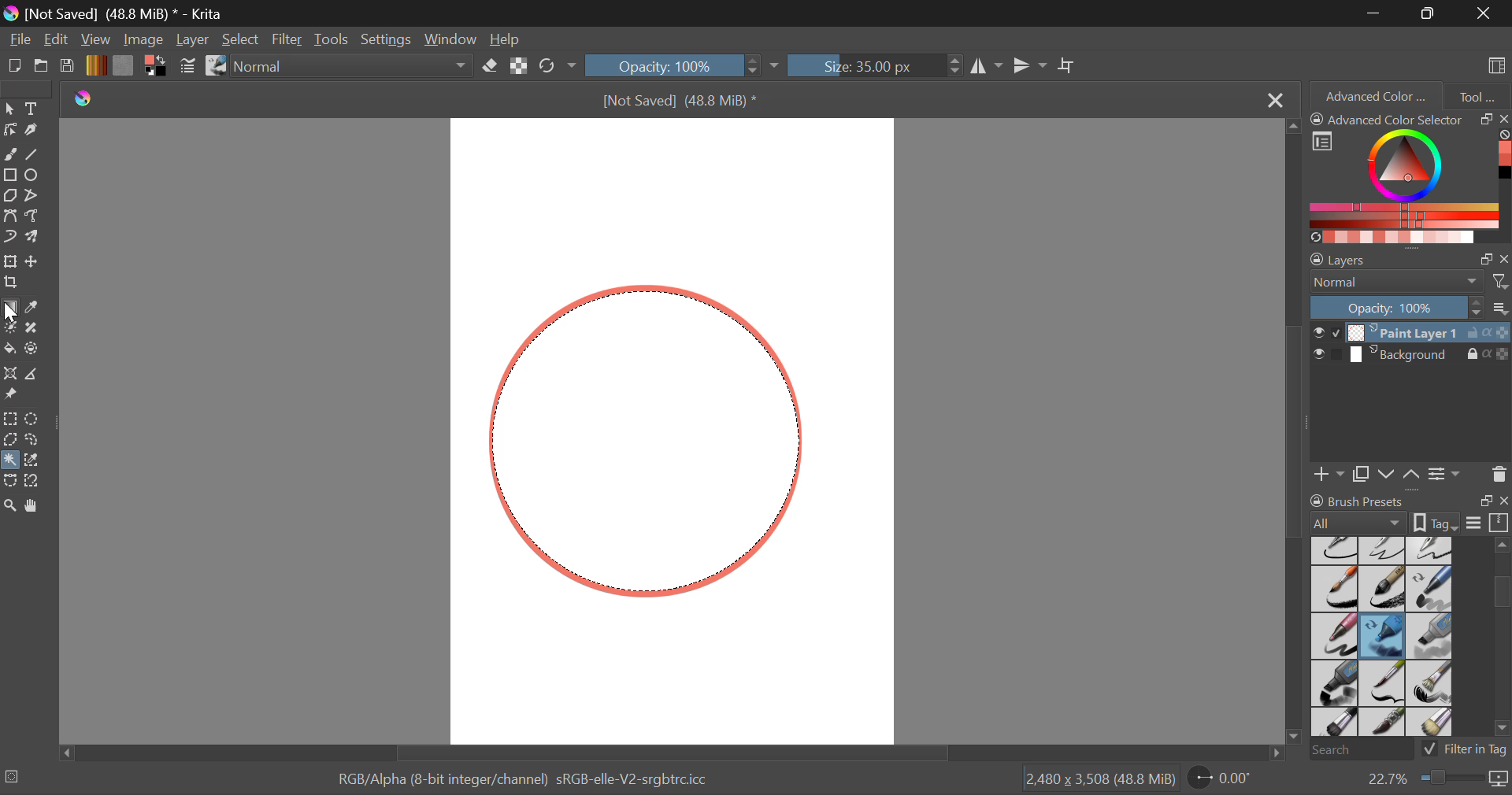 Image resolution: width=1512 pixels, height=795 pixels. What do you see at coordinates (455, 40) in the screenshot?
I see `Window` at bounding box center [455, 40].